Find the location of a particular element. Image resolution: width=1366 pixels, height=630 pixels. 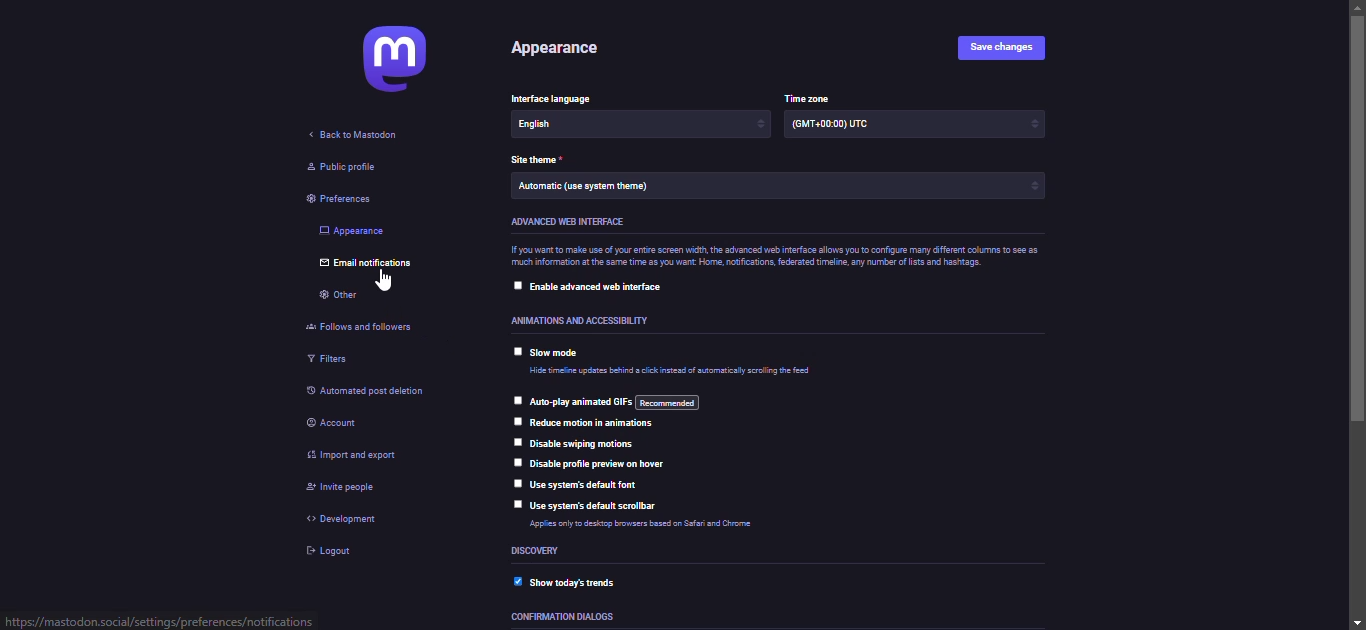

reduce motion in animations is located at coordinates (594, 423).